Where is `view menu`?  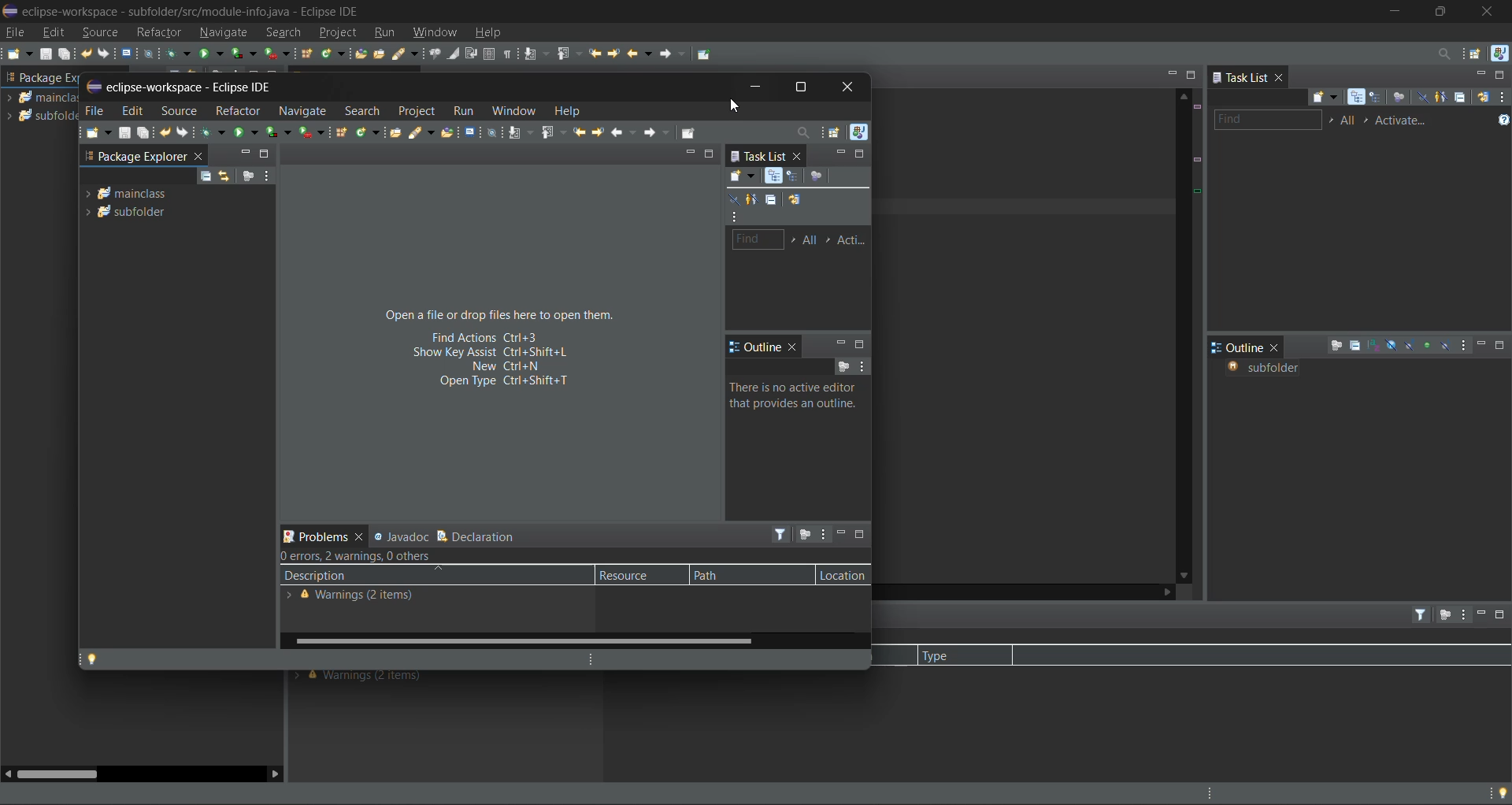
view menu is located at coordinates (1461, 347).